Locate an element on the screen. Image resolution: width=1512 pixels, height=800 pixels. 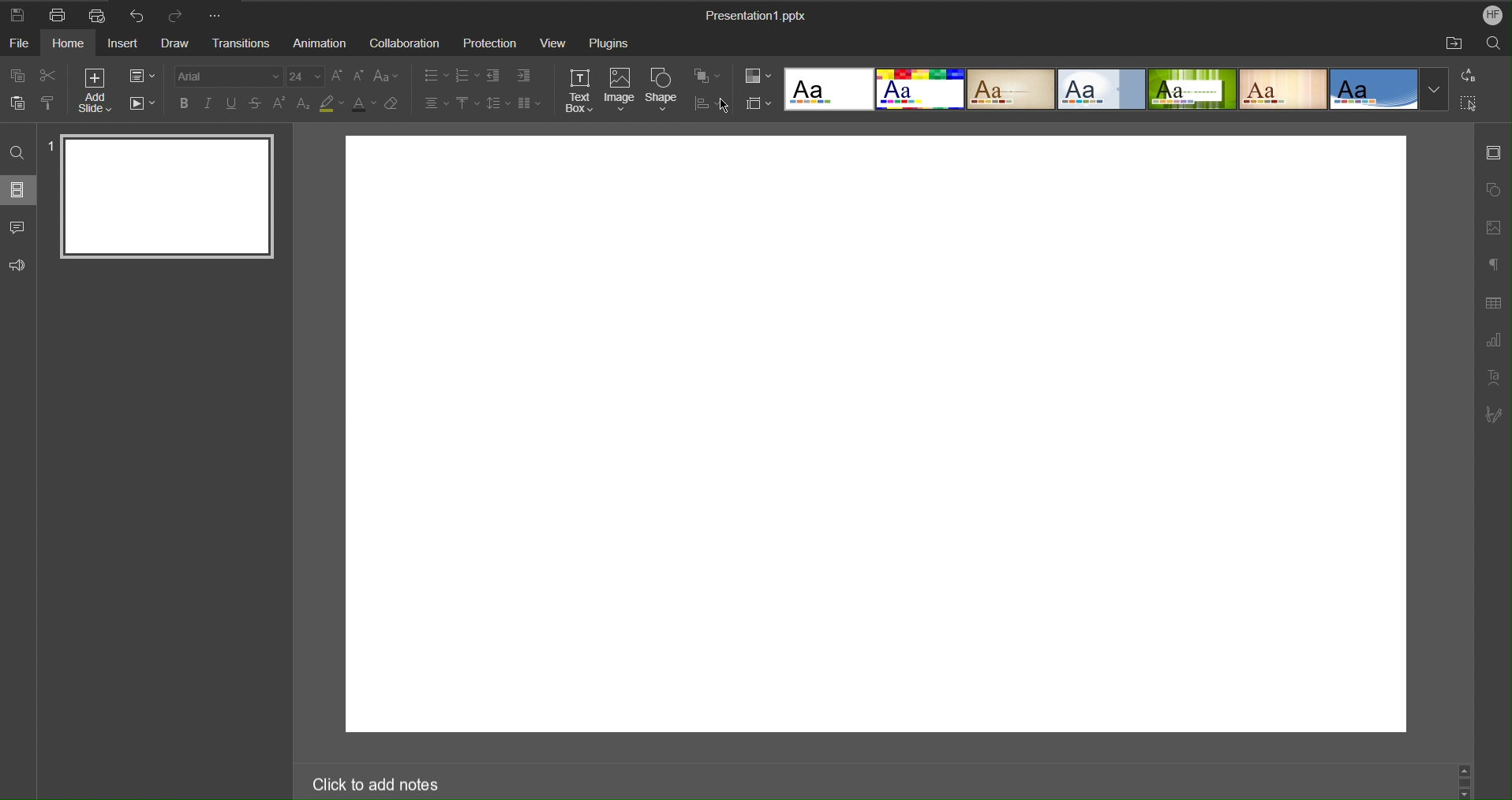
Numbered List is located at coordinates (467, 75).